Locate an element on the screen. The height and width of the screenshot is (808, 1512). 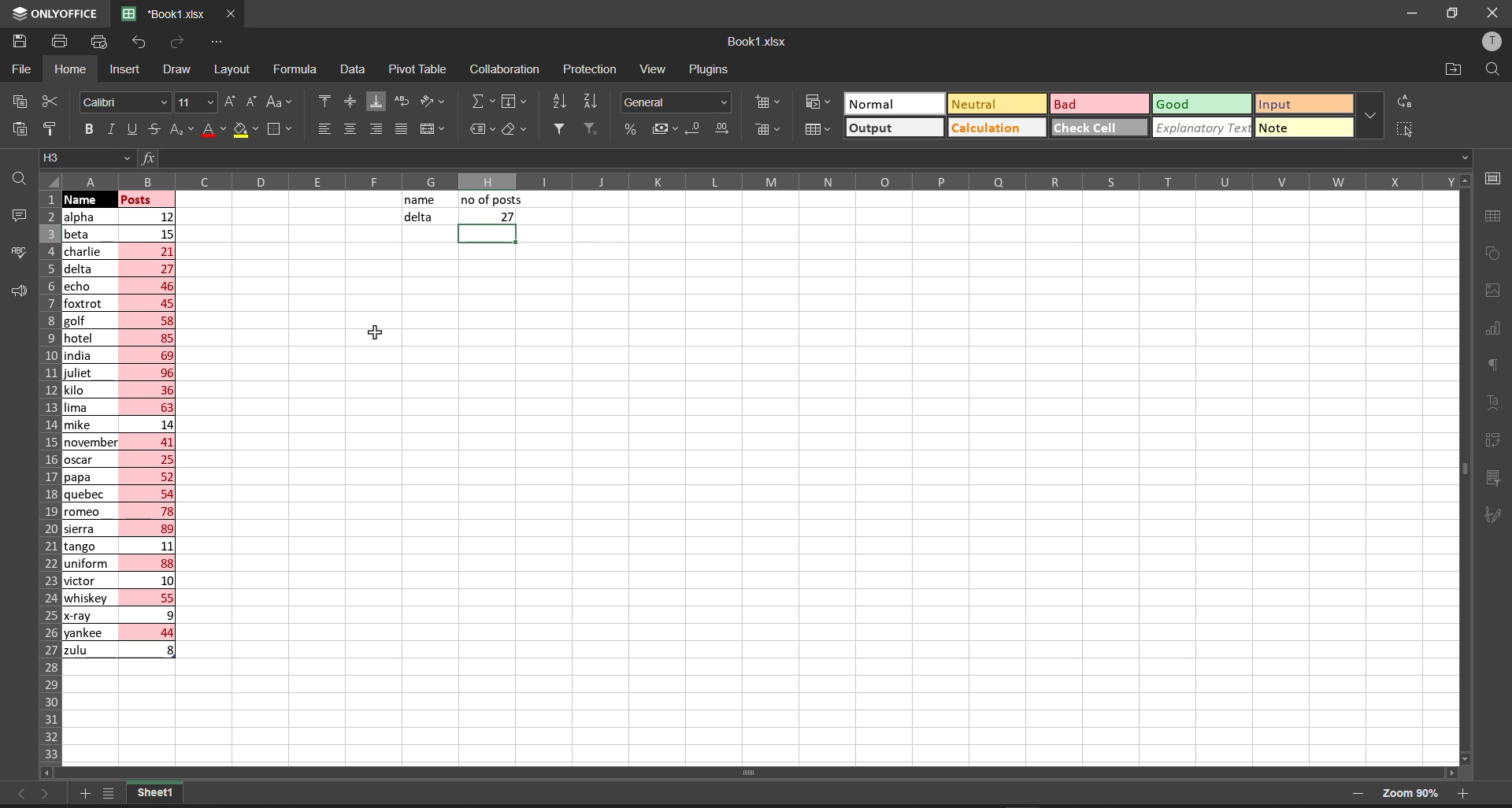
pivot table is located at coordinates (418, 67).